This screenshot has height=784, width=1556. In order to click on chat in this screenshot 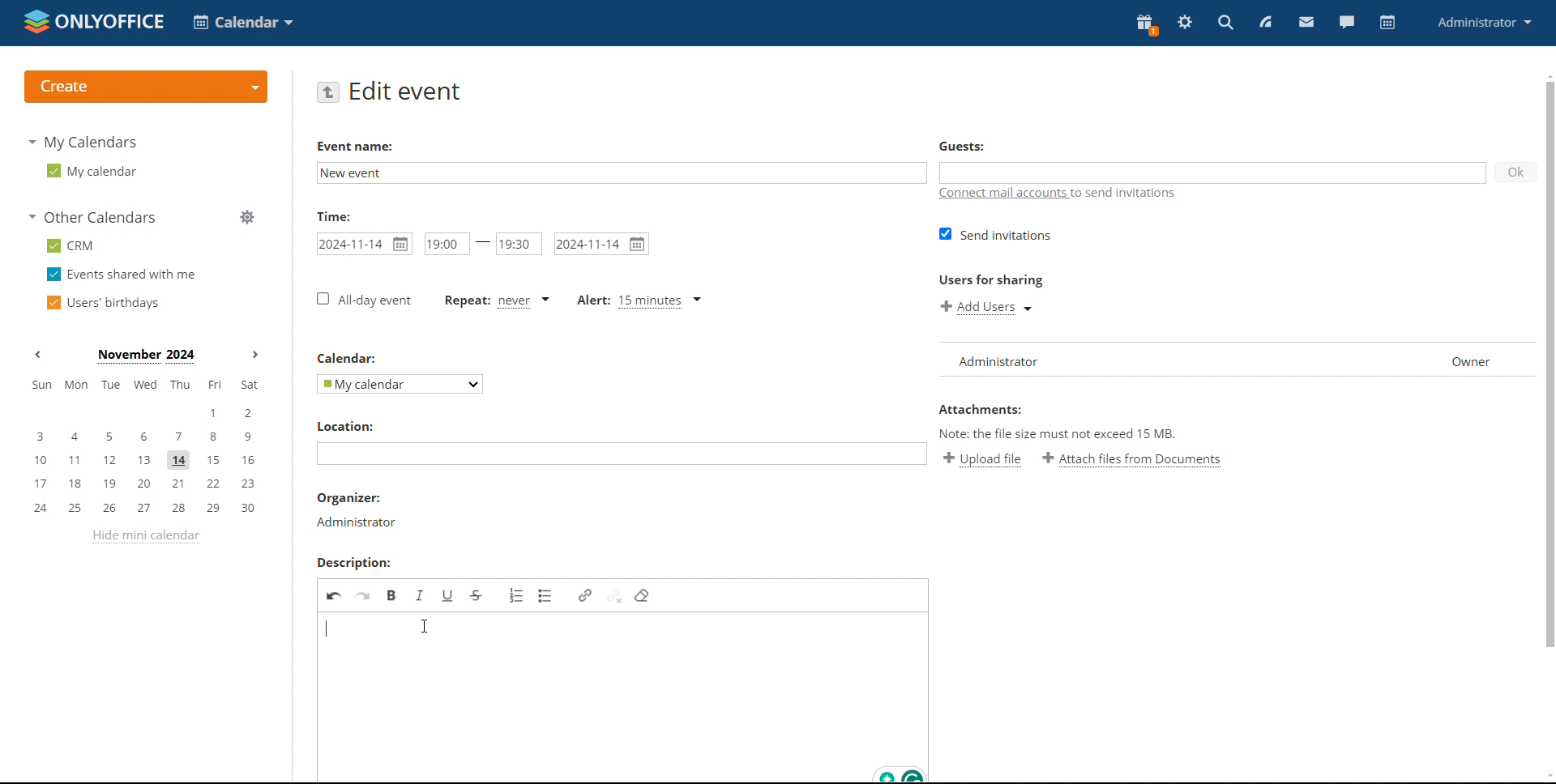, I will do `click(1346, 23)`.